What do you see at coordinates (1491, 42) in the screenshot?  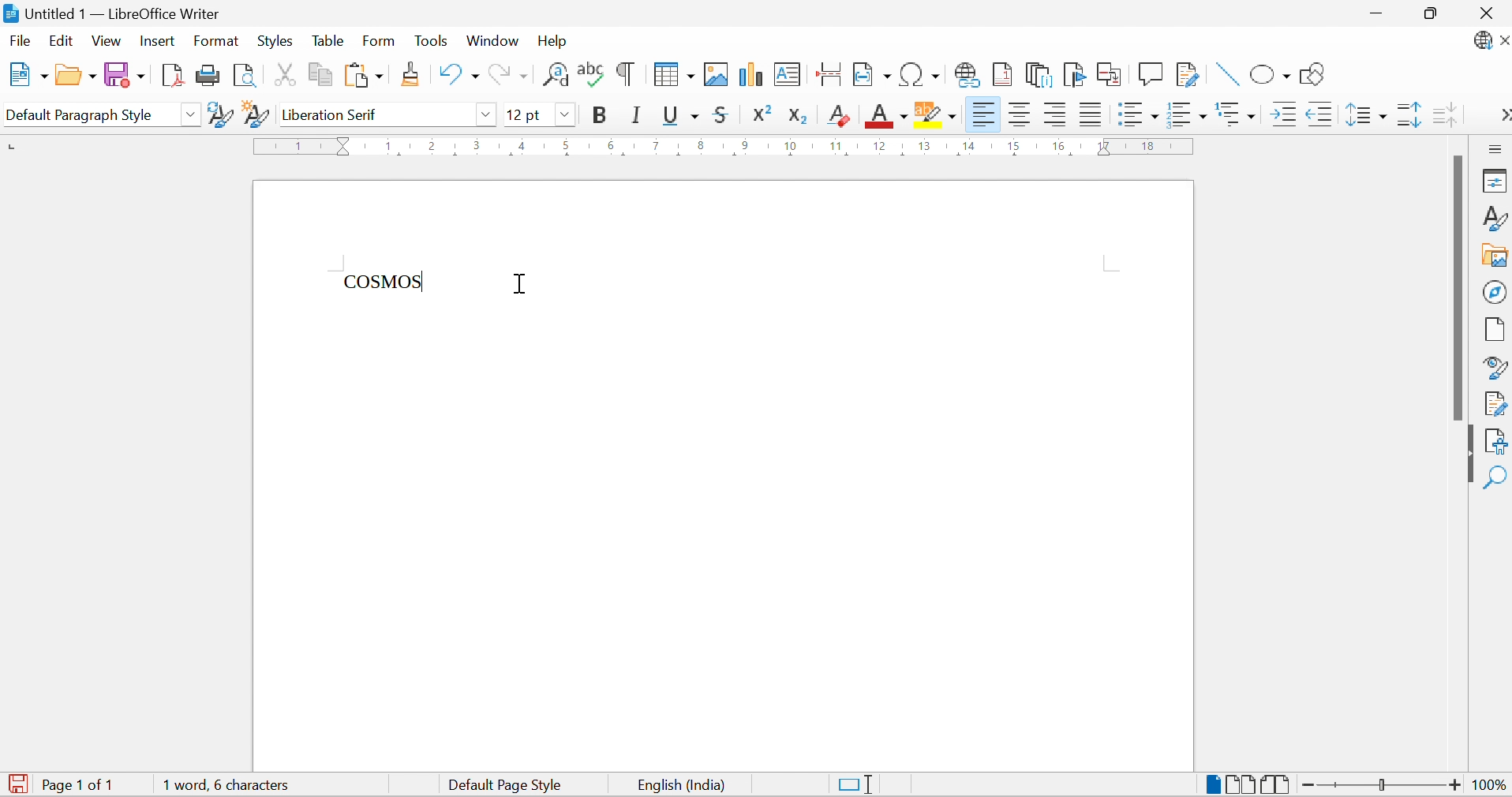 I see `LibreOffice Update Available` at bounding box center [1491, 42].